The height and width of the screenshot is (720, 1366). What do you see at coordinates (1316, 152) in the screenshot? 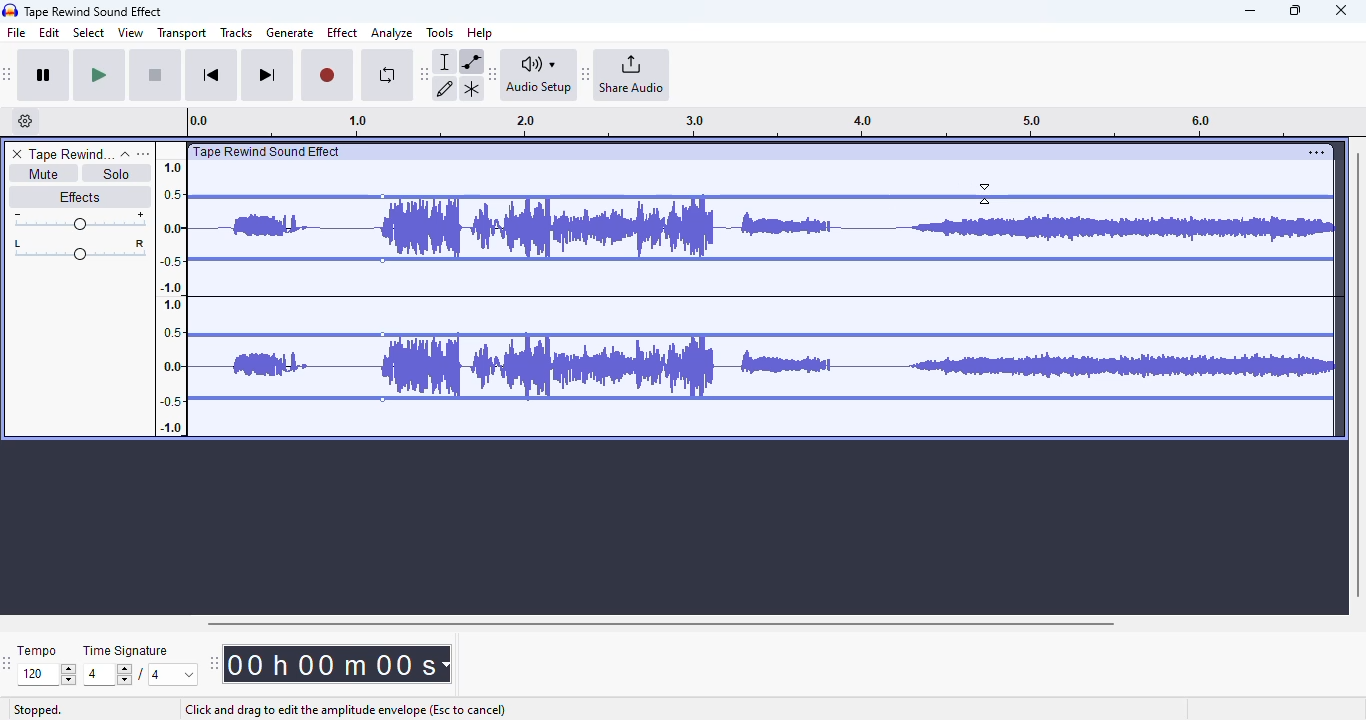
I see `settings` at bounding box center [1316, 152].